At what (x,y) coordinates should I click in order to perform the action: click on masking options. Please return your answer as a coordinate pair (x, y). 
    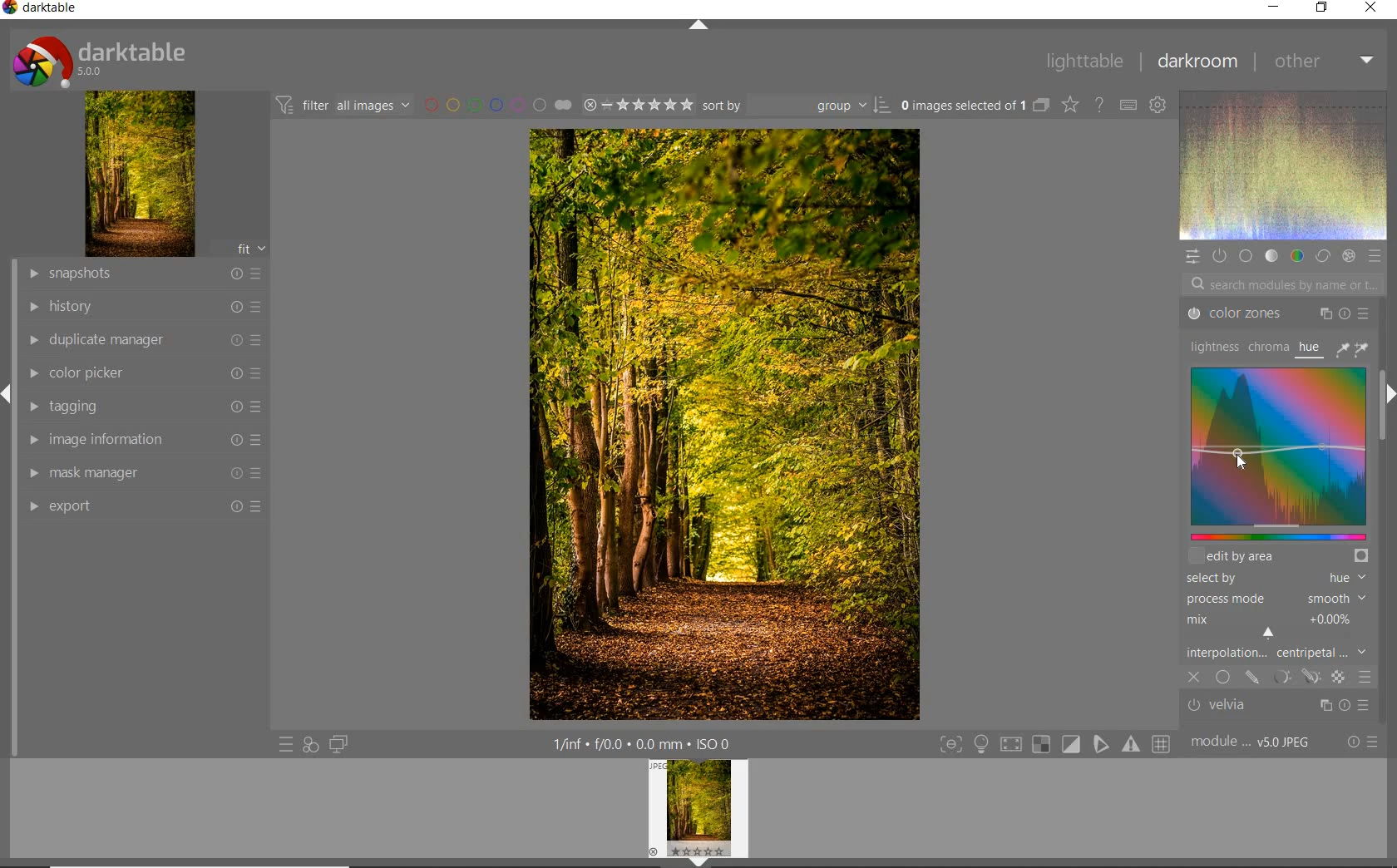
    Looking at the image, I should click on (1293, 678).